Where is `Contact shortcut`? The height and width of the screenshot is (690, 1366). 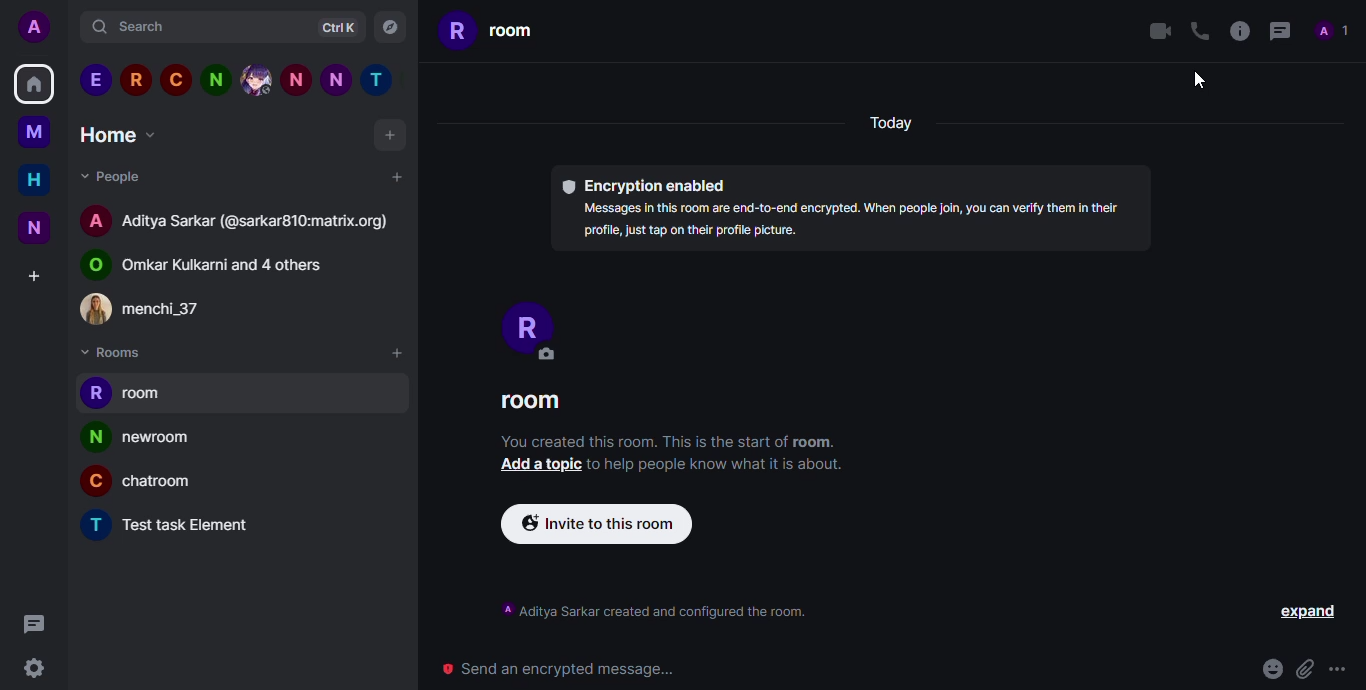 Contact shortcut is located at coordinates (377, 80).